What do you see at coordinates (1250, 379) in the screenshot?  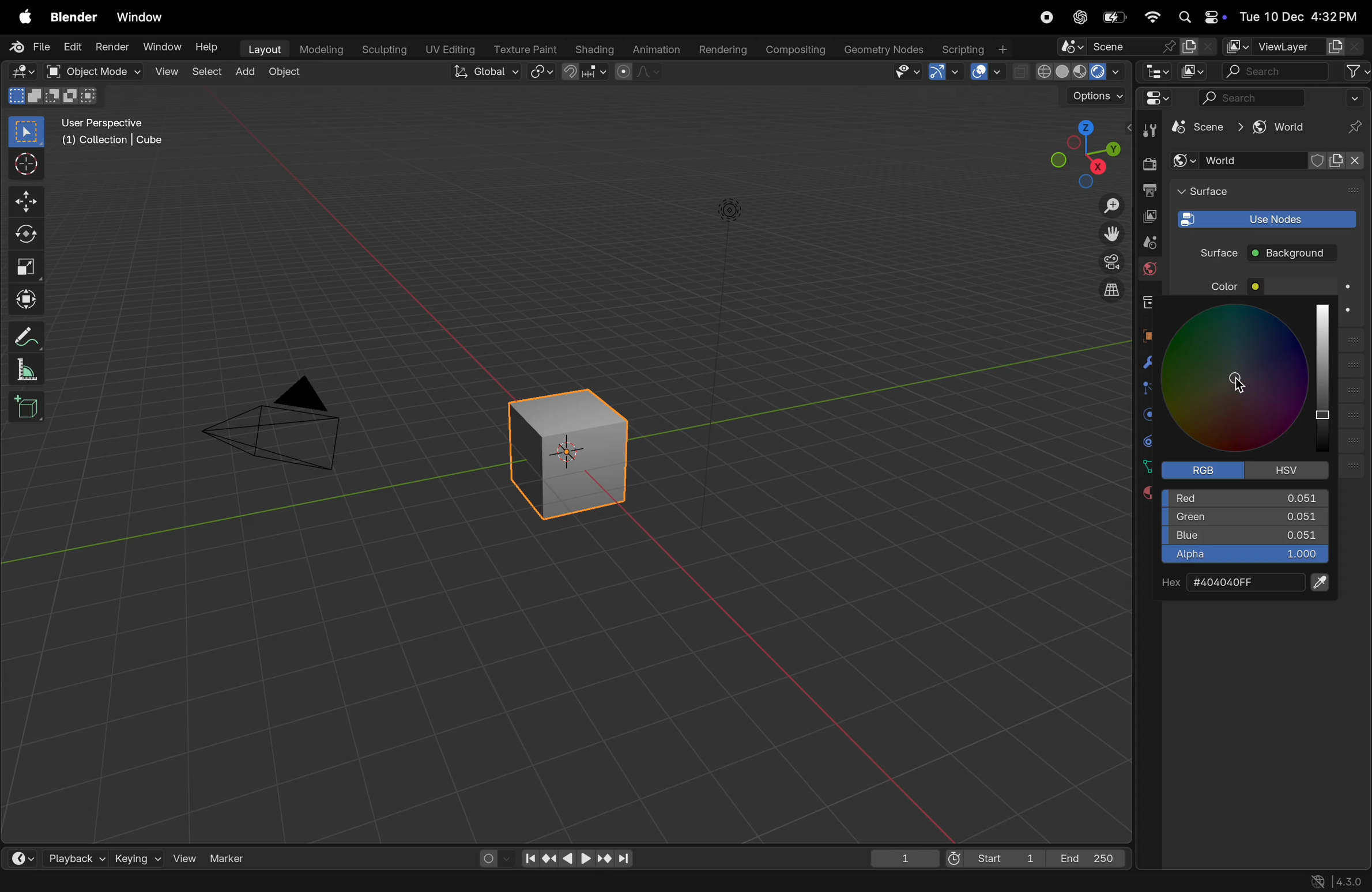 I see `color wheel` at bounding box center [1250, 379].